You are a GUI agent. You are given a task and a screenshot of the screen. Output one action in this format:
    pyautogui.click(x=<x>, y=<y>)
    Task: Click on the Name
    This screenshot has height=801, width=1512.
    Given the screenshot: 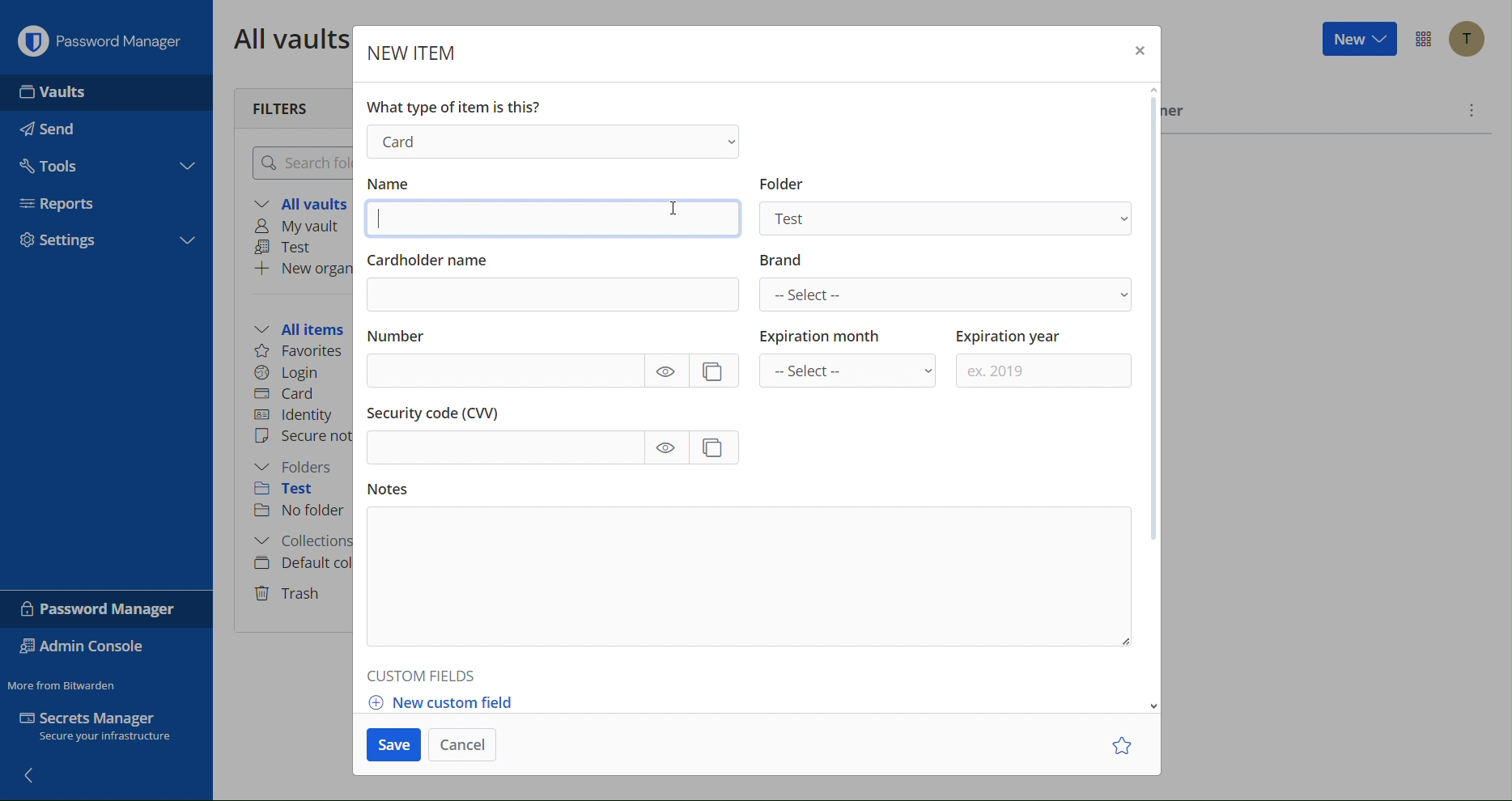 What is the action you would take?
    pyautogui.click(x=391, y=185)
    